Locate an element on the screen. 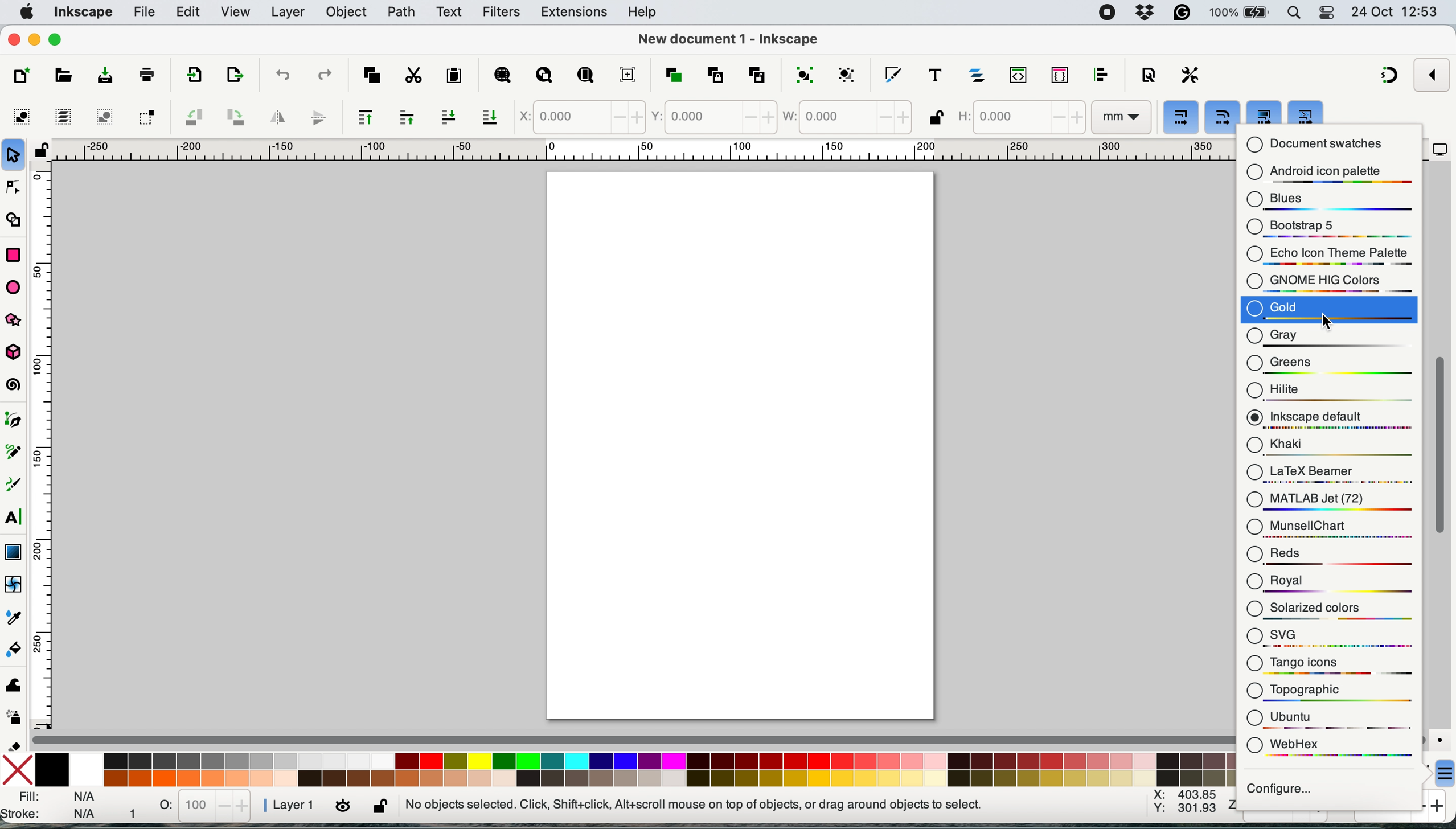  gnome hig colors is located at coordinates (1329, 281).